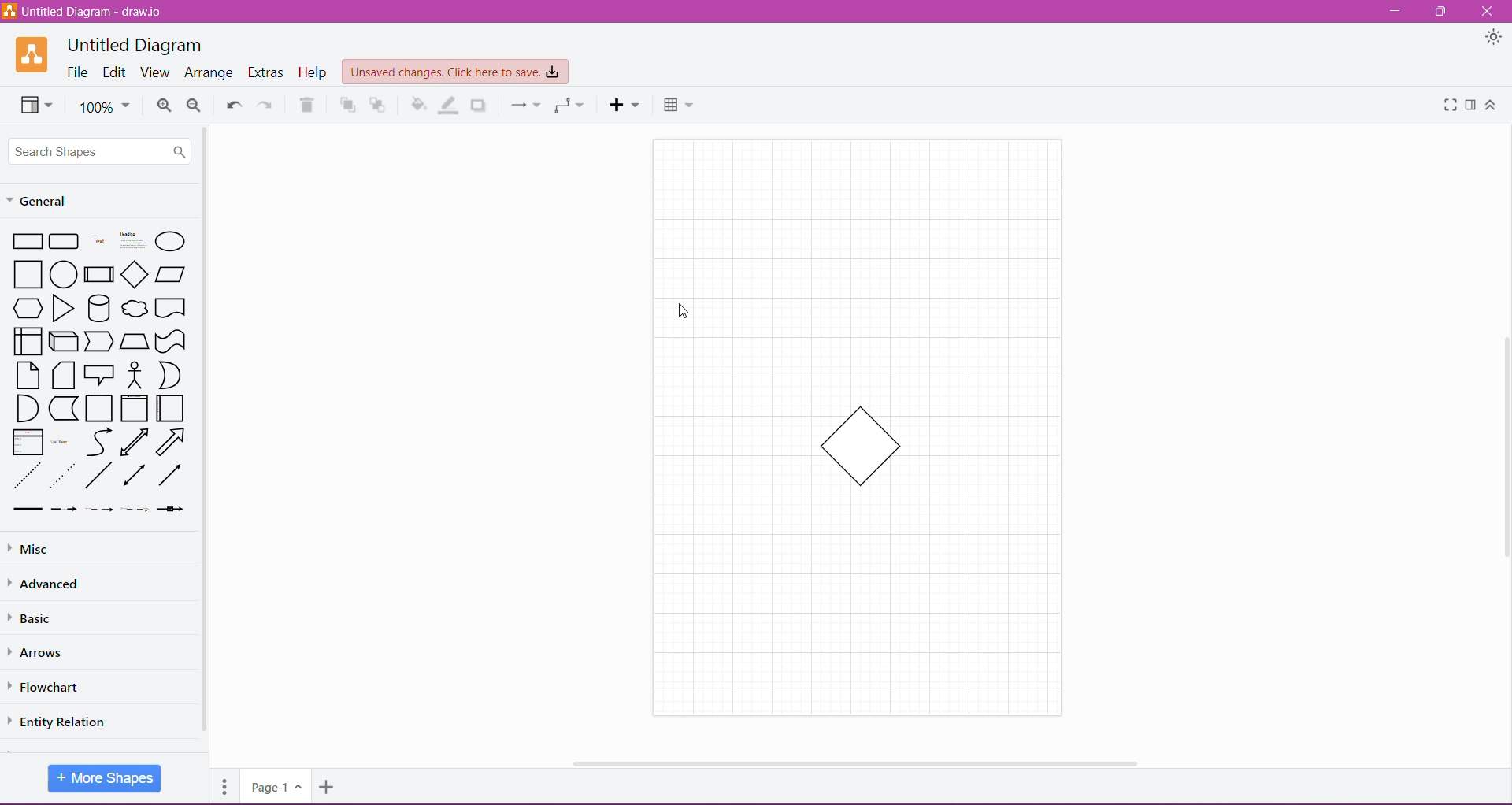 The image size is (1512, 805). What do you see at coordinates (326, 788) in the screenshot?
I see `Insert Page` at bounding box center [326, 788].